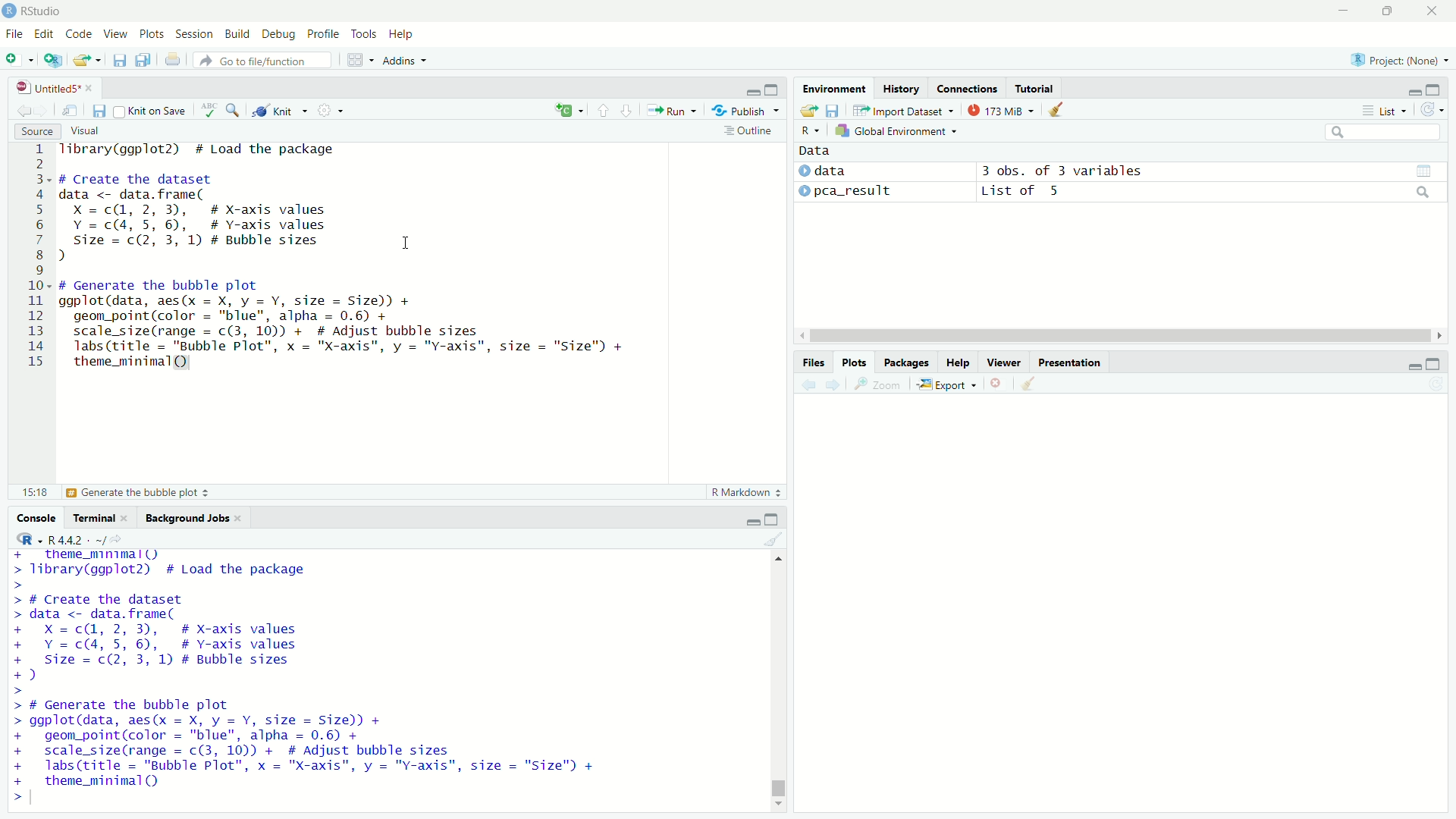 The height and width of the screenshot is (819, 1456). I want to click on cursor, so click(406, 242).